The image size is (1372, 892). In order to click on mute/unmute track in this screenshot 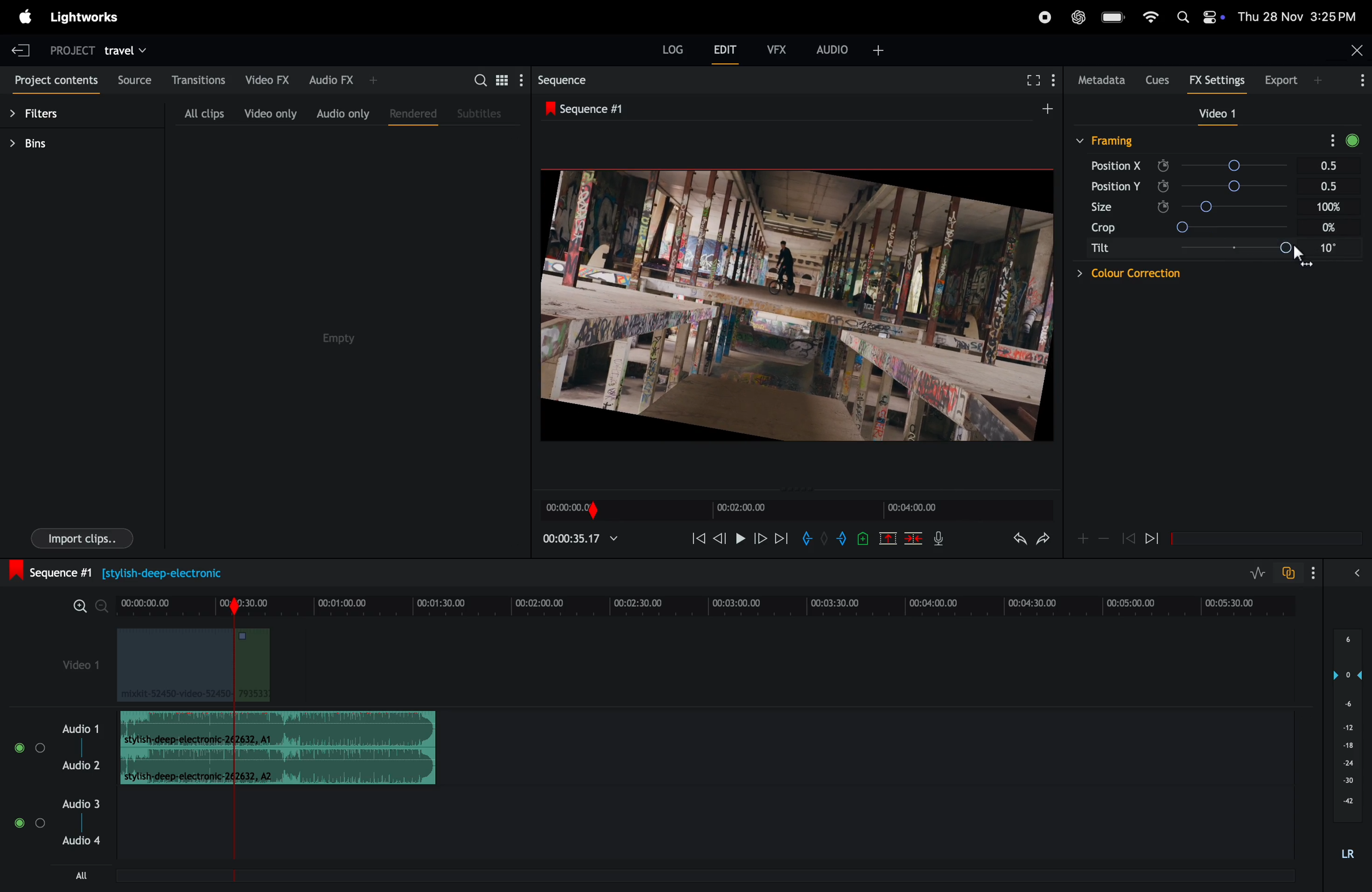, I will do `click(17, 745)`.